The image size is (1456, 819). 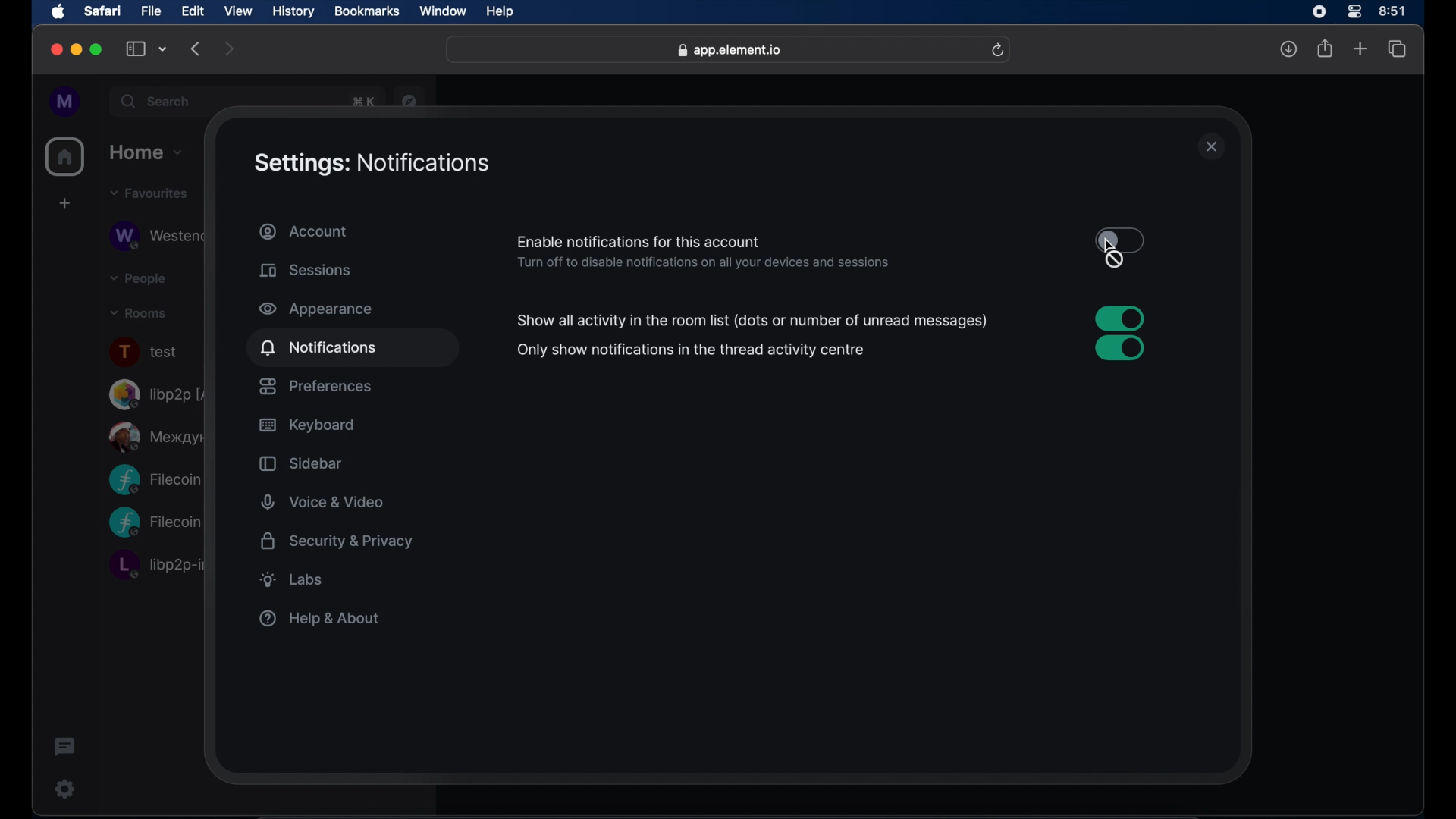 What do you see at coordinates (500, 13) in the screenshot?
I see `help` at bounding box center [500, 13].